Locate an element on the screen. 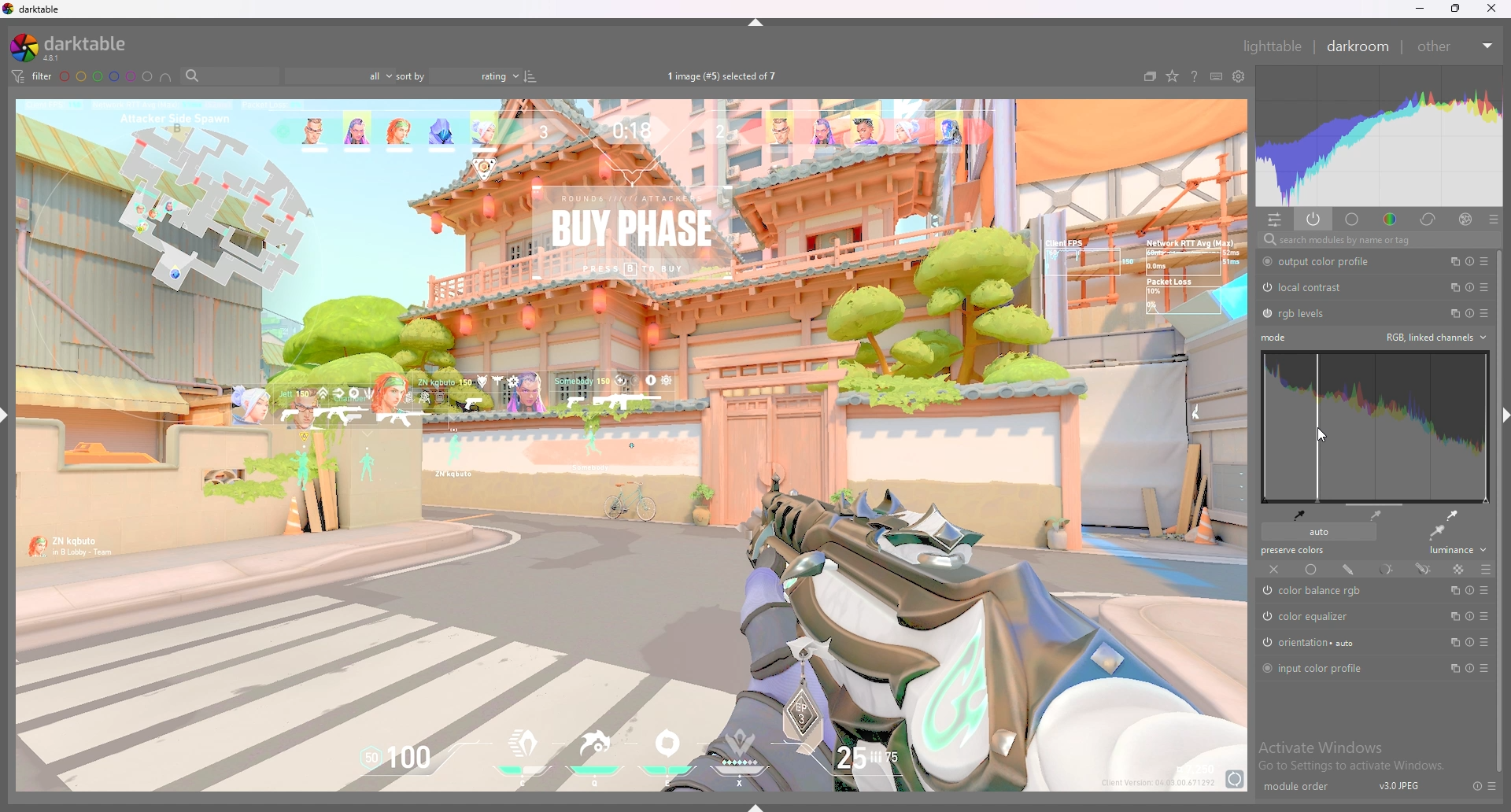 Image resolution: width=1511 pixels, height=812 pixels. off is located at coordinates (1275, 570).